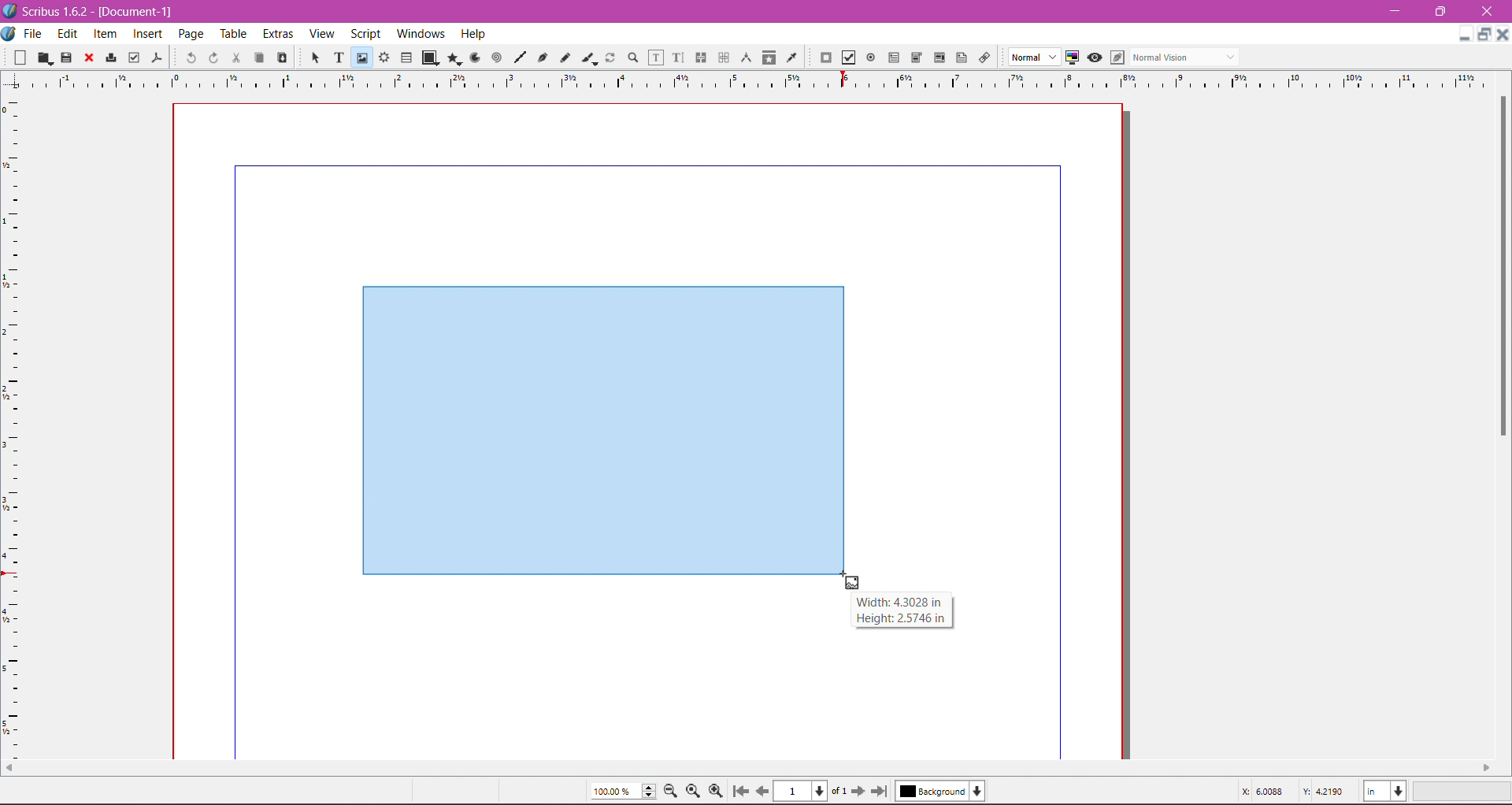 The image size is (1512, 805). Describe the element at coordinates (45, 57) in the screenshot. I see `Open` at that location.